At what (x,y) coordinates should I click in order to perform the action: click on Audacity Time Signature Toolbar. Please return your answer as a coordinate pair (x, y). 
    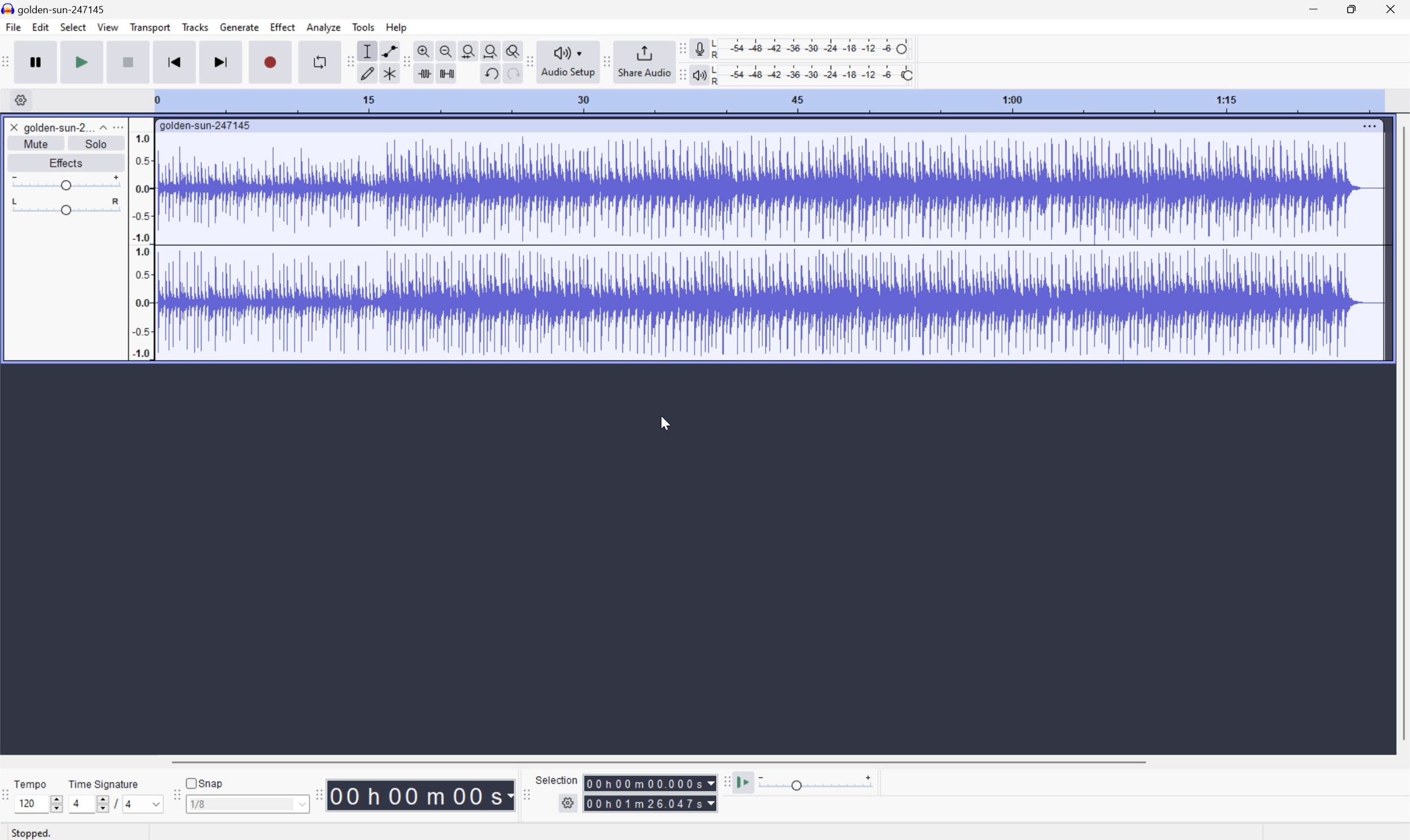
    Looking at the image, I should click on (9, 798).